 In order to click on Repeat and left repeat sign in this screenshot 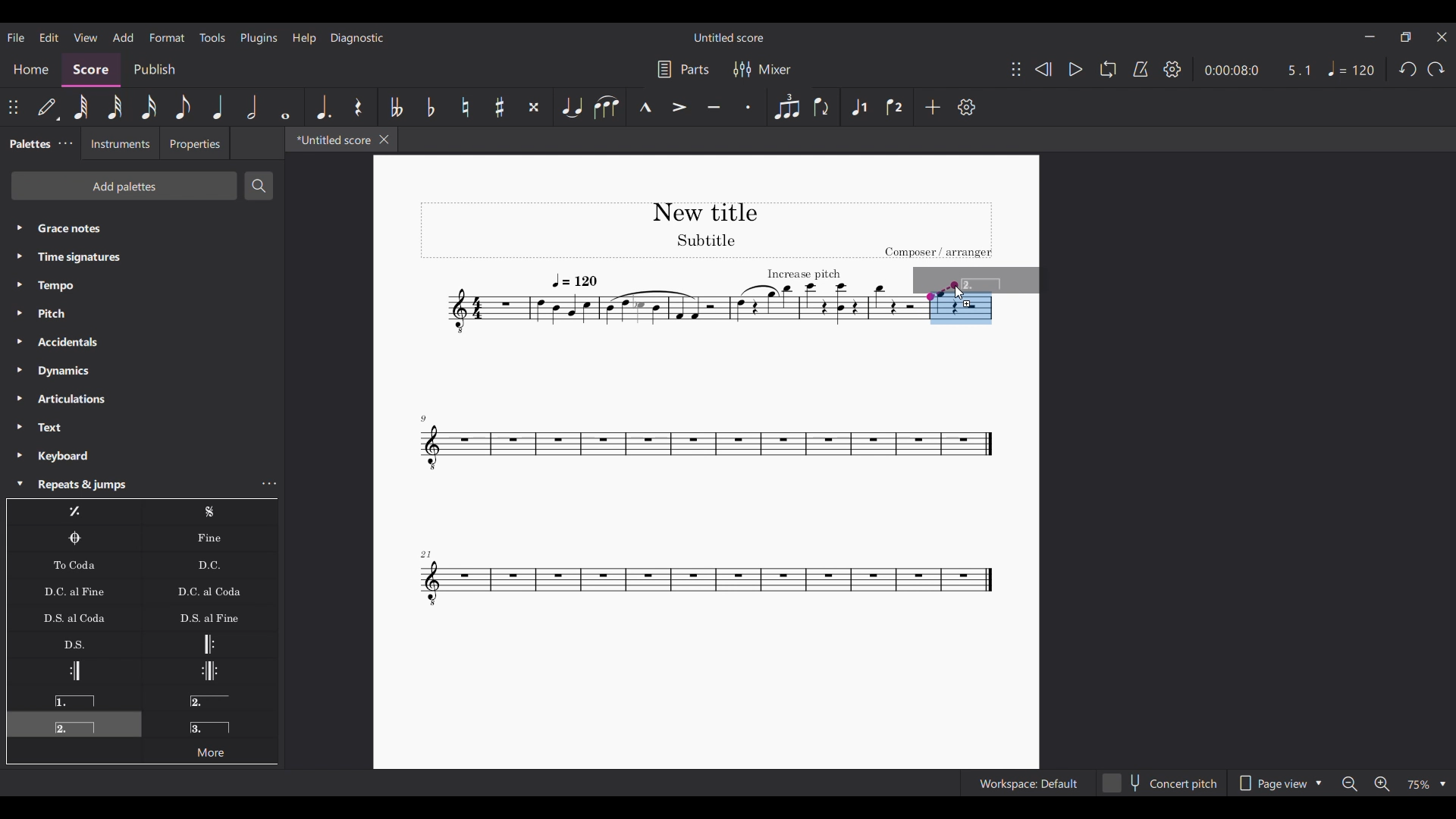, I will do `click(209, 671)`.